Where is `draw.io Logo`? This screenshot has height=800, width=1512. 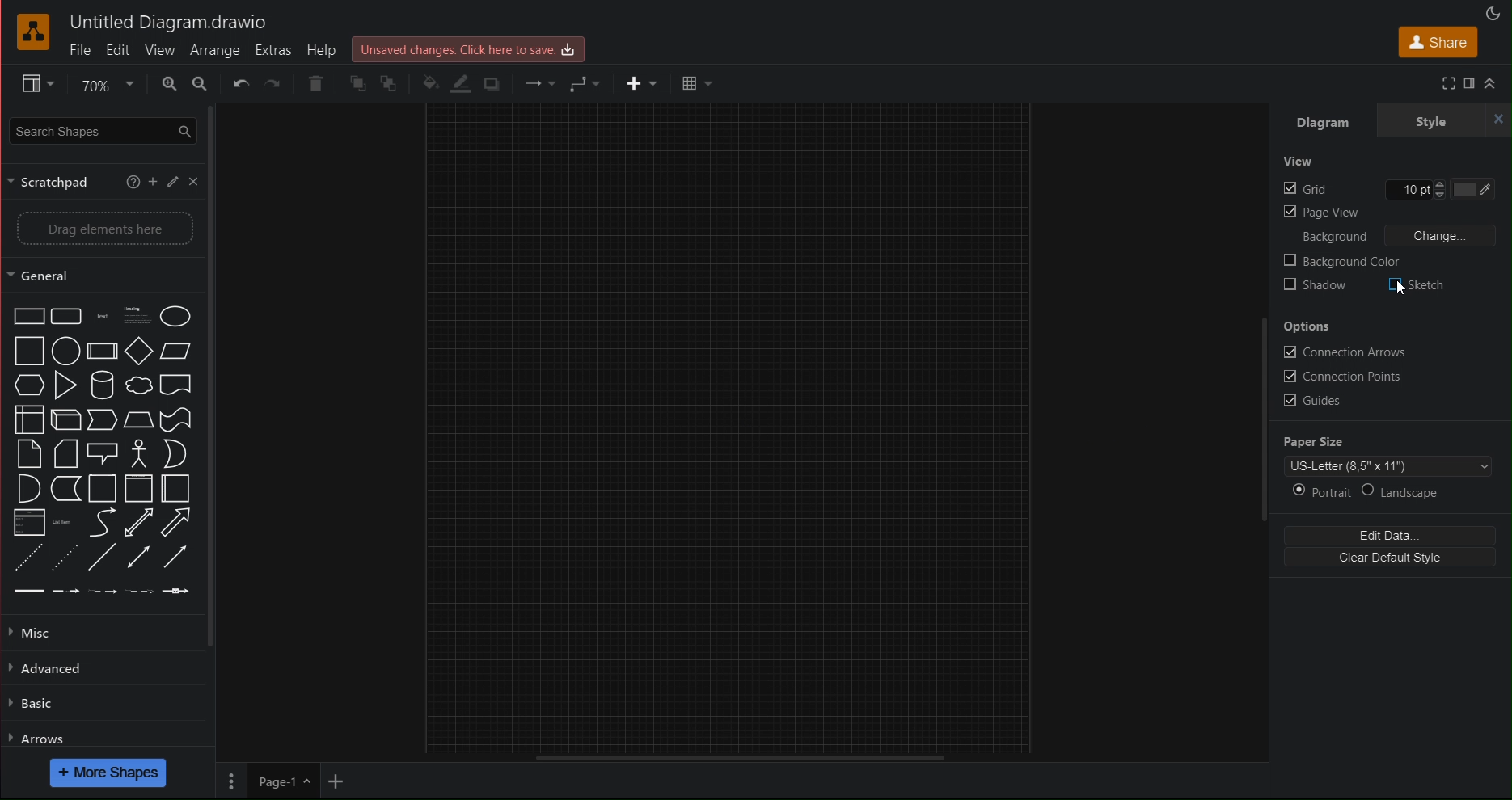
draw.io Logo is located at coordinates (32, 33).